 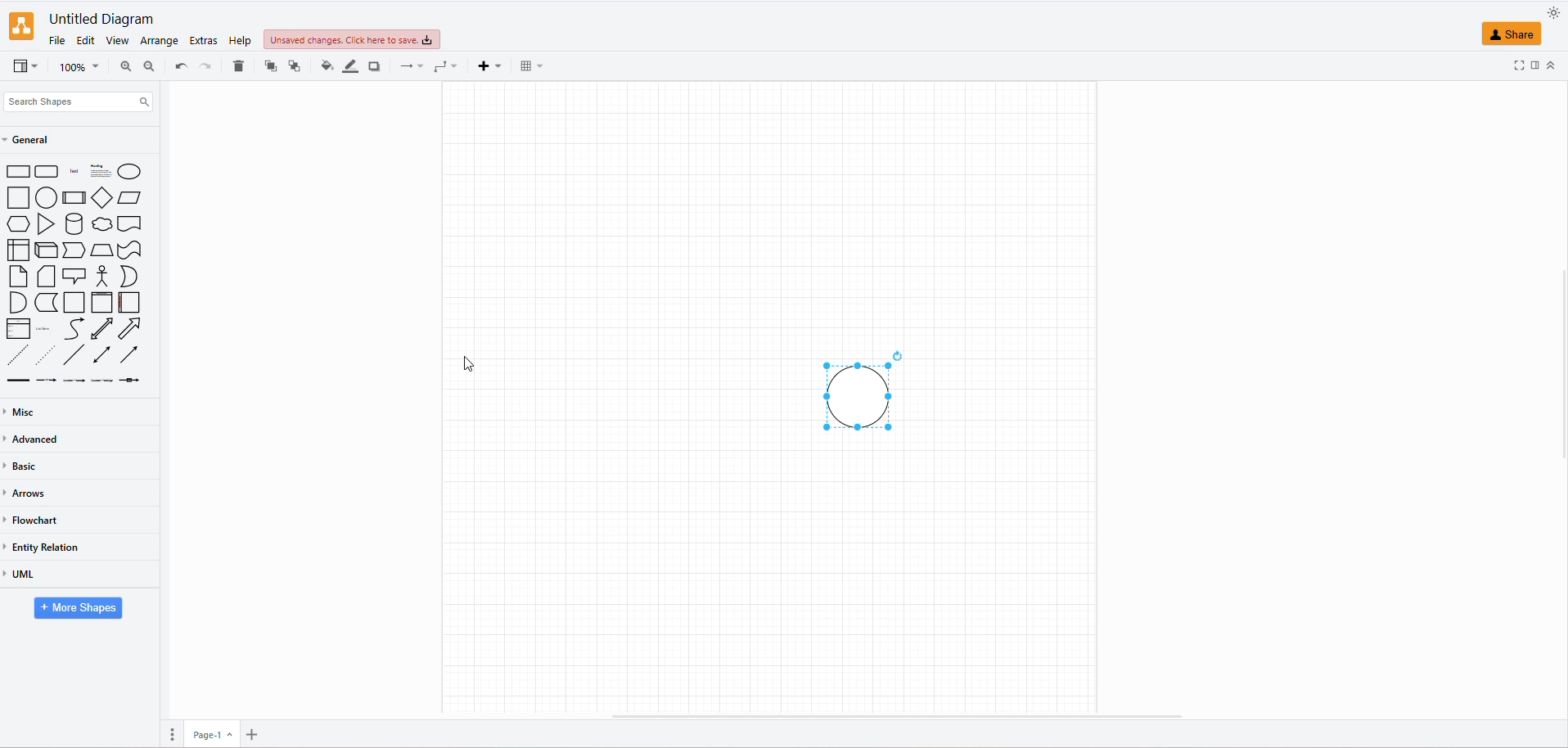 What do you see at coordinates (72, 248) in the screenshot?
I see `STEP` at bounding box center [72, 248].